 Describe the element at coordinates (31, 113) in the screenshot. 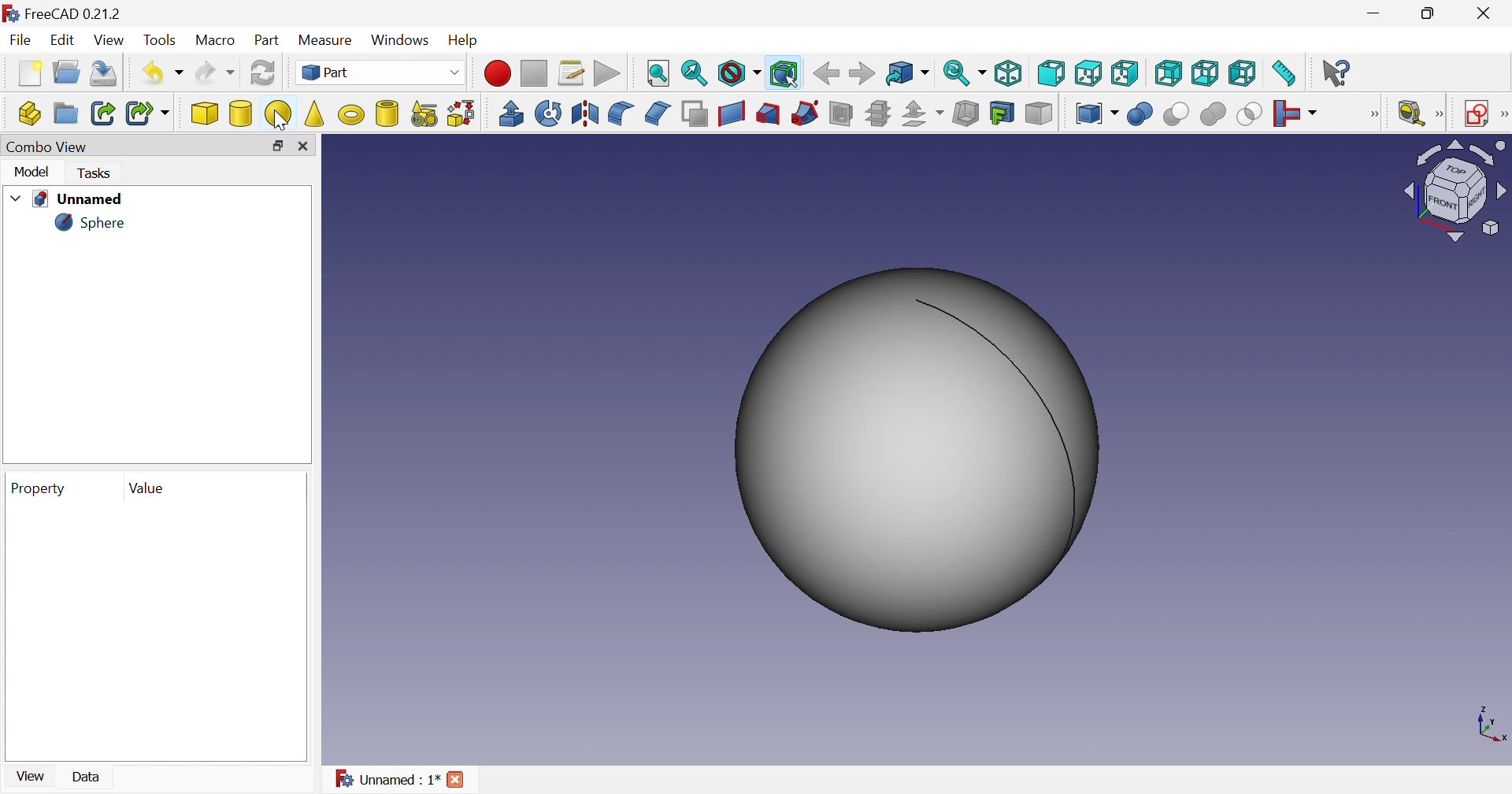

I see `Create part` at that location.